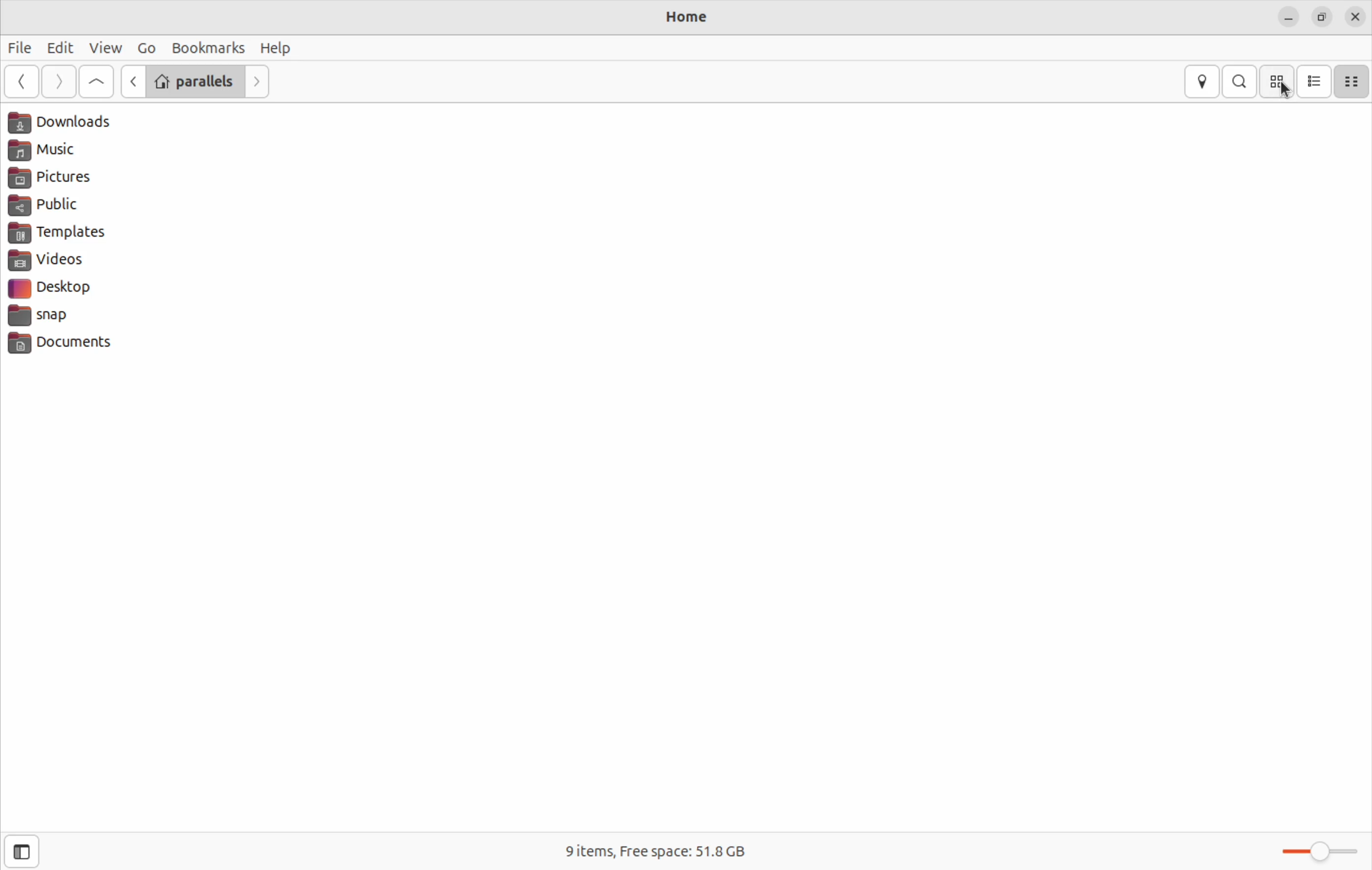  I want to click on Goto first file, so click(96, 81).